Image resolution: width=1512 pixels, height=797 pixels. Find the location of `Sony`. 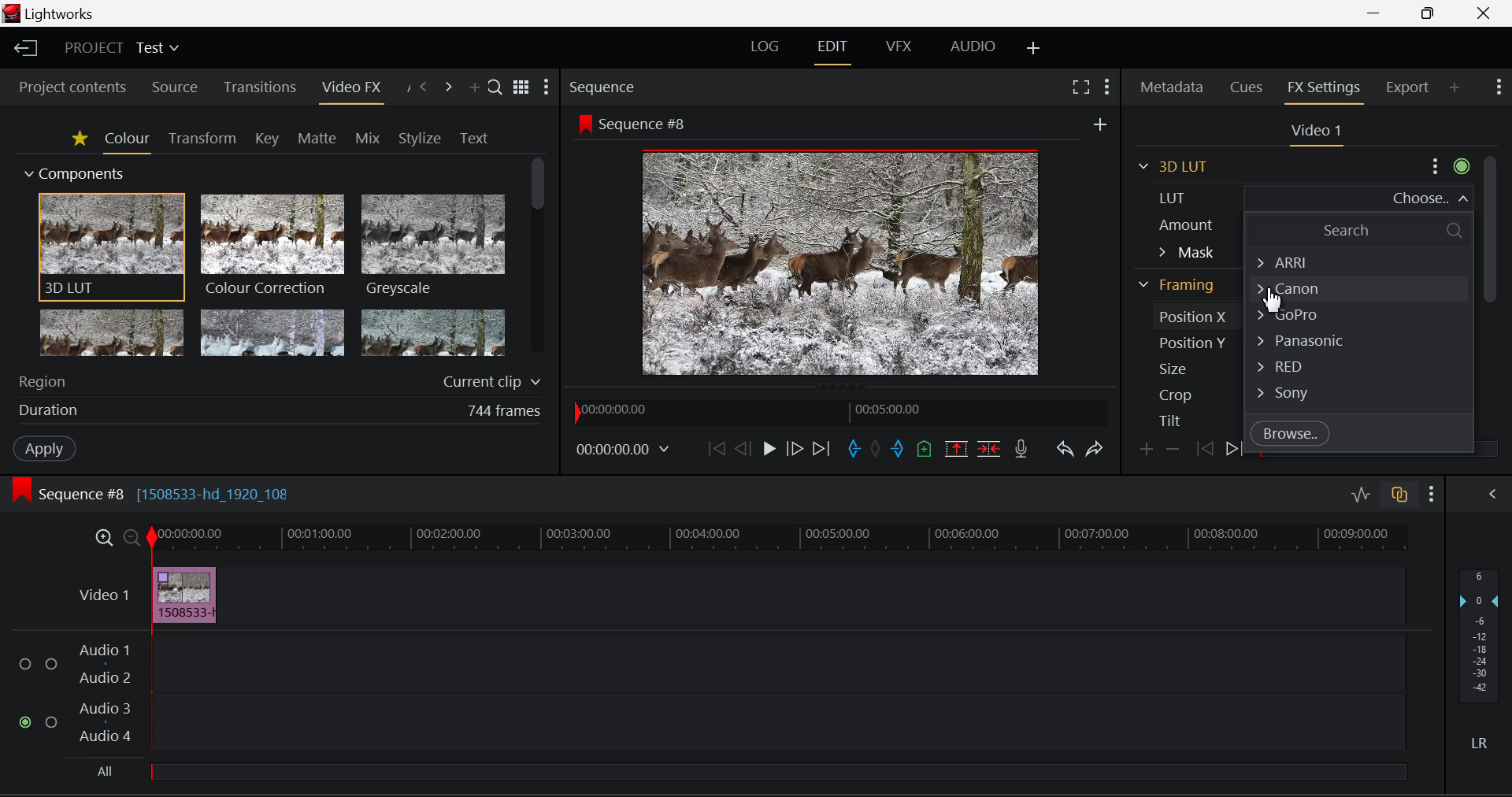

Sony is located at coordinates (1306, 395).